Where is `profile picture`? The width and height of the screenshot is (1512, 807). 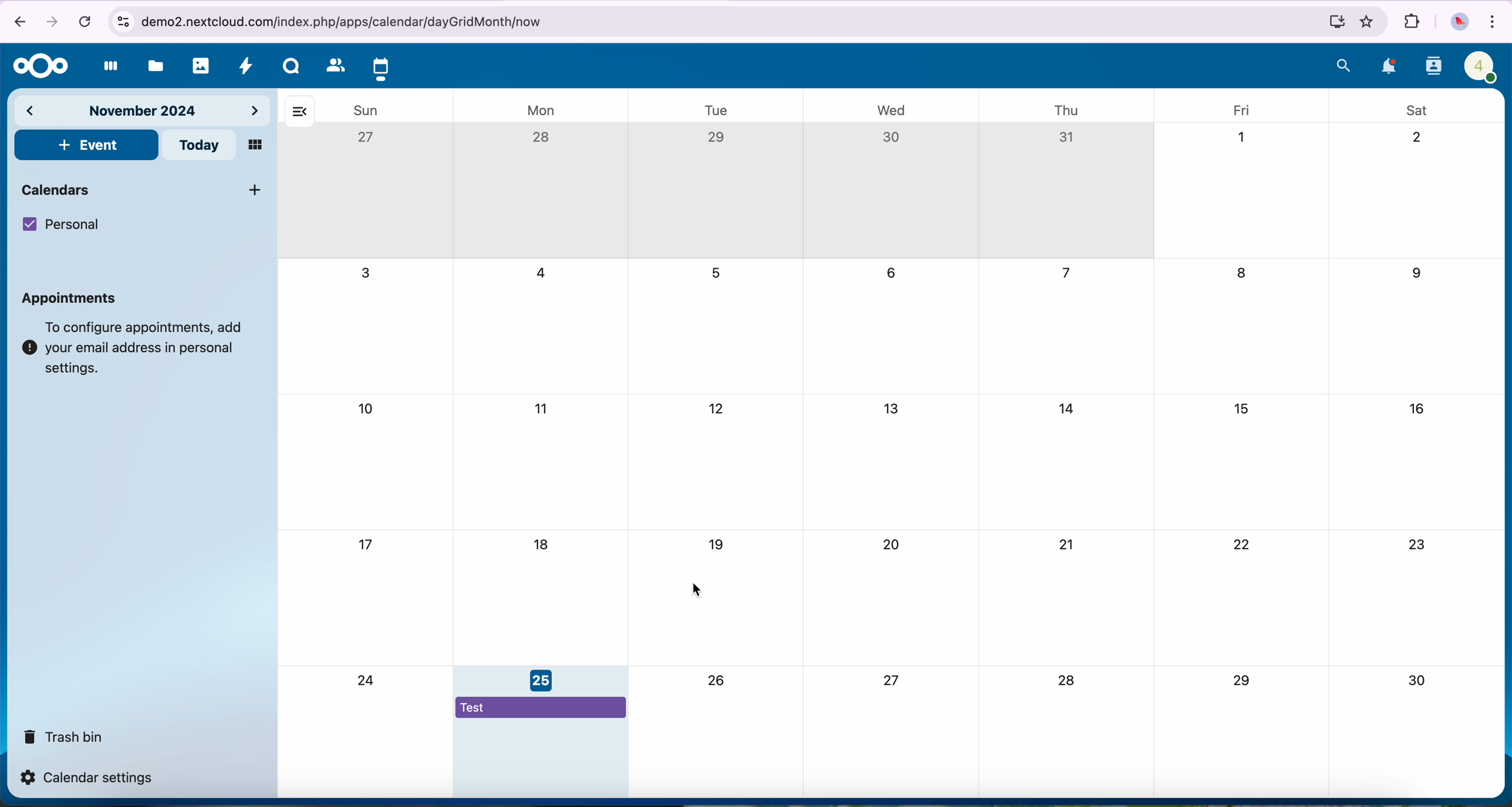
profile picture is located at coordinates (1457, 23).